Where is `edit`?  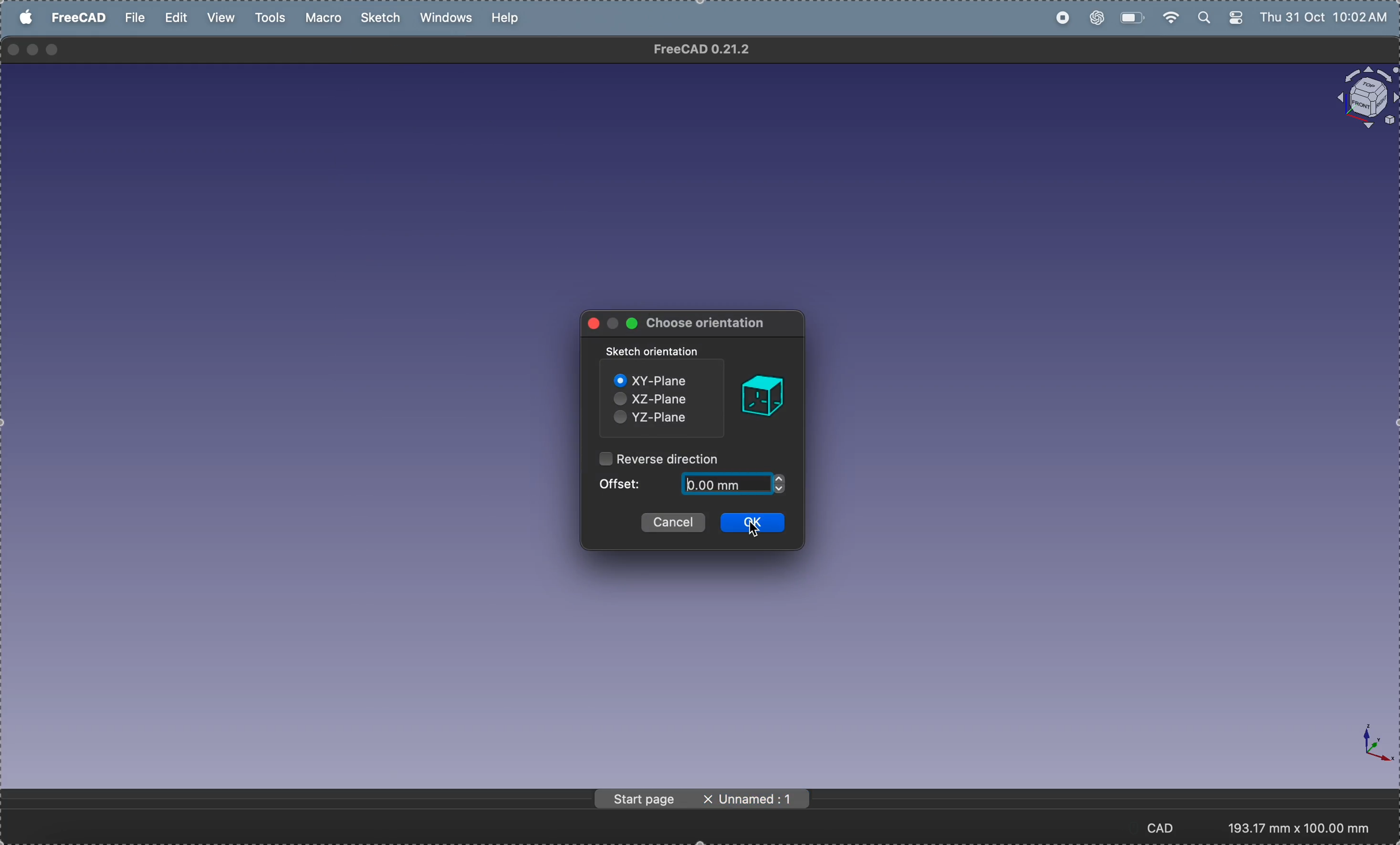 edit is located at coordinates (178, 18).